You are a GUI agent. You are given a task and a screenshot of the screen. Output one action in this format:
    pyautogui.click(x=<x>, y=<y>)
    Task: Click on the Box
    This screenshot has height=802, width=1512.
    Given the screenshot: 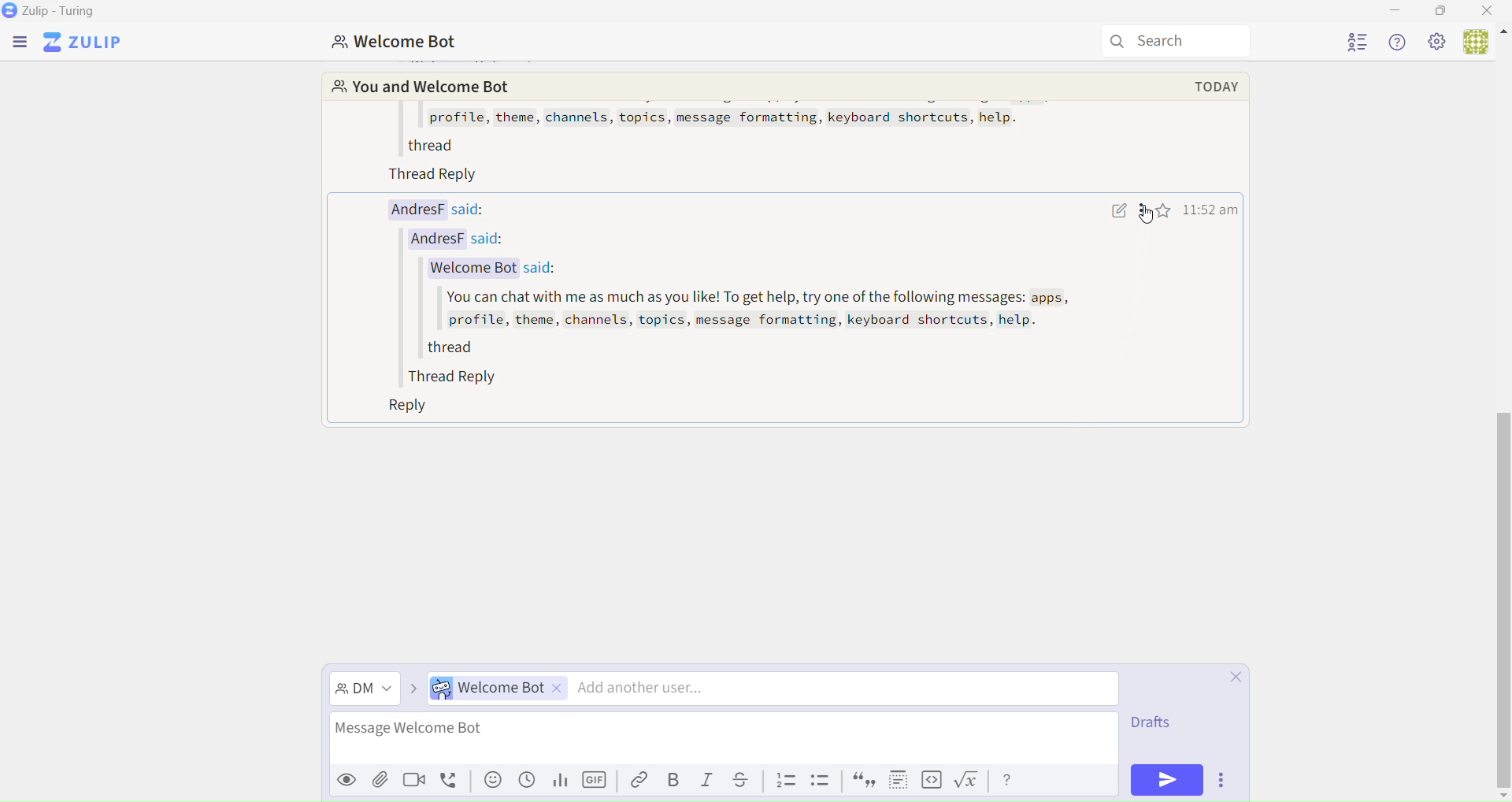 What is the action you would take?
    pyautogui.click(x=1441, y=12)
    